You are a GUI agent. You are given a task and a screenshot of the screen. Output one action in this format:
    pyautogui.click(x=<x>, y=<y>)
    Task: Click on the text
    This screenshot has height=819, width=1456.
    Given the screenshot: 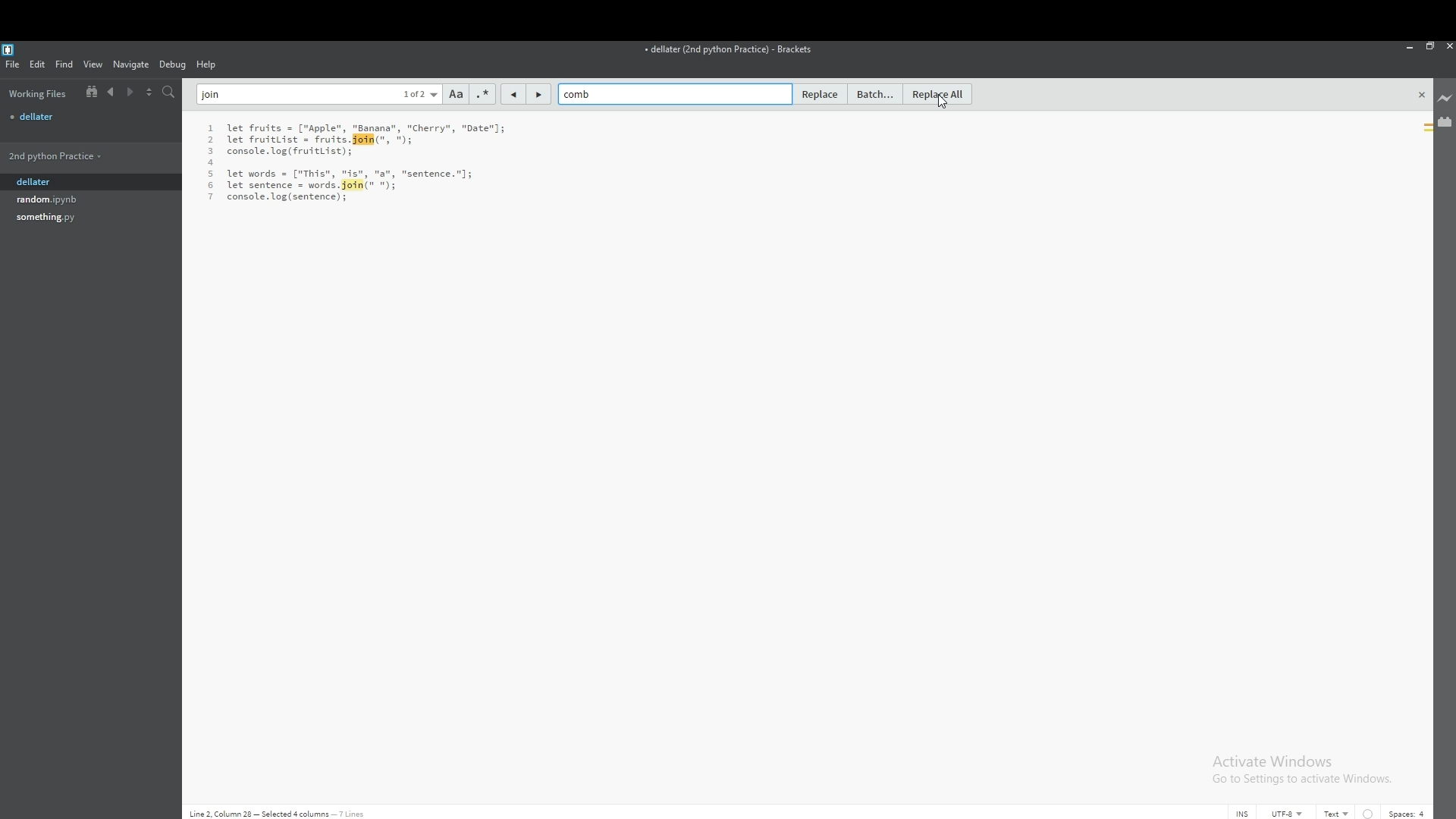 What is the action you would take?
    pyautogui.click(x=358, y=163)
    